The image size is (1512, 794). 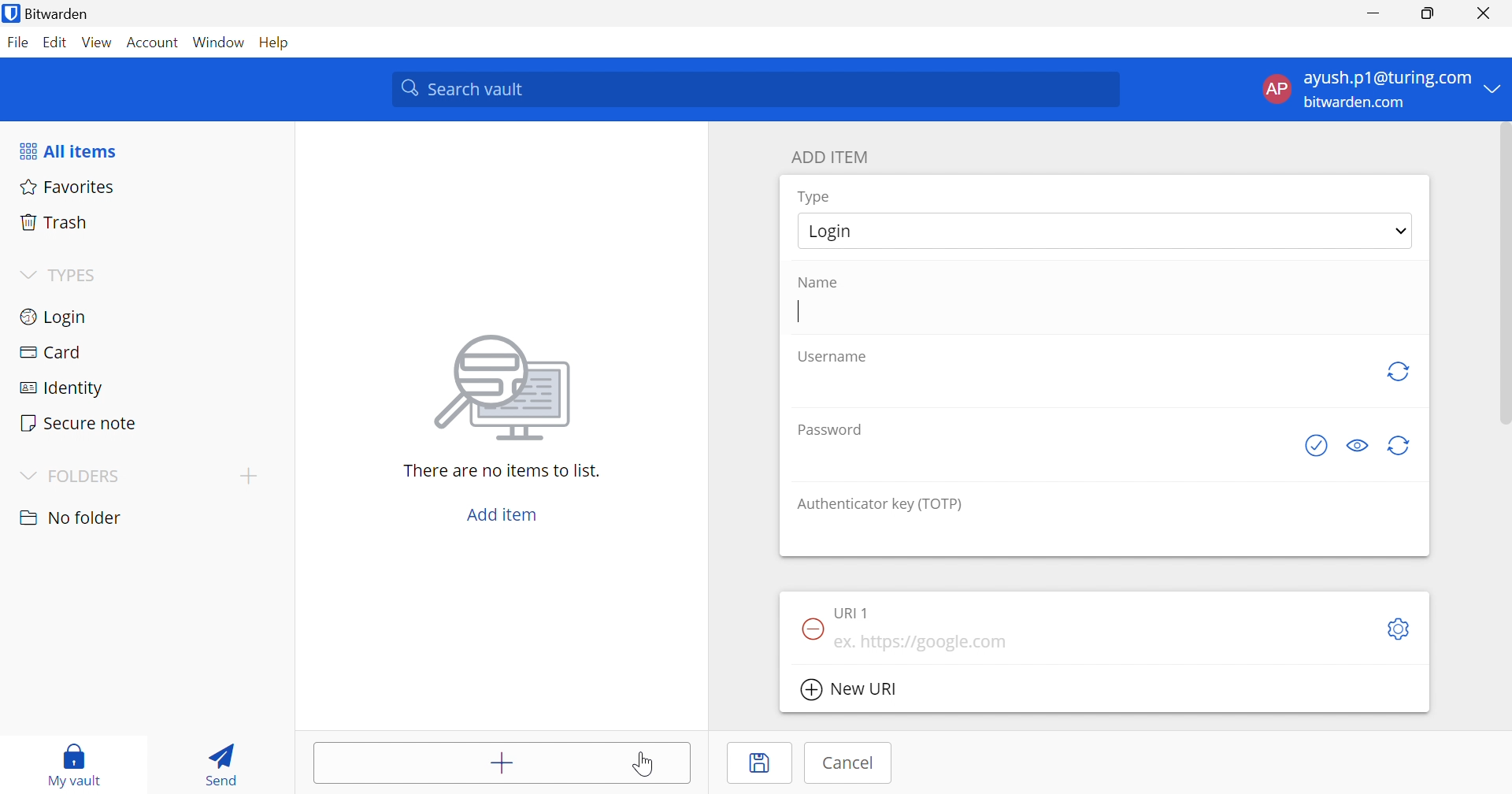 I want to click on Remove, so click(x=811, y=627).